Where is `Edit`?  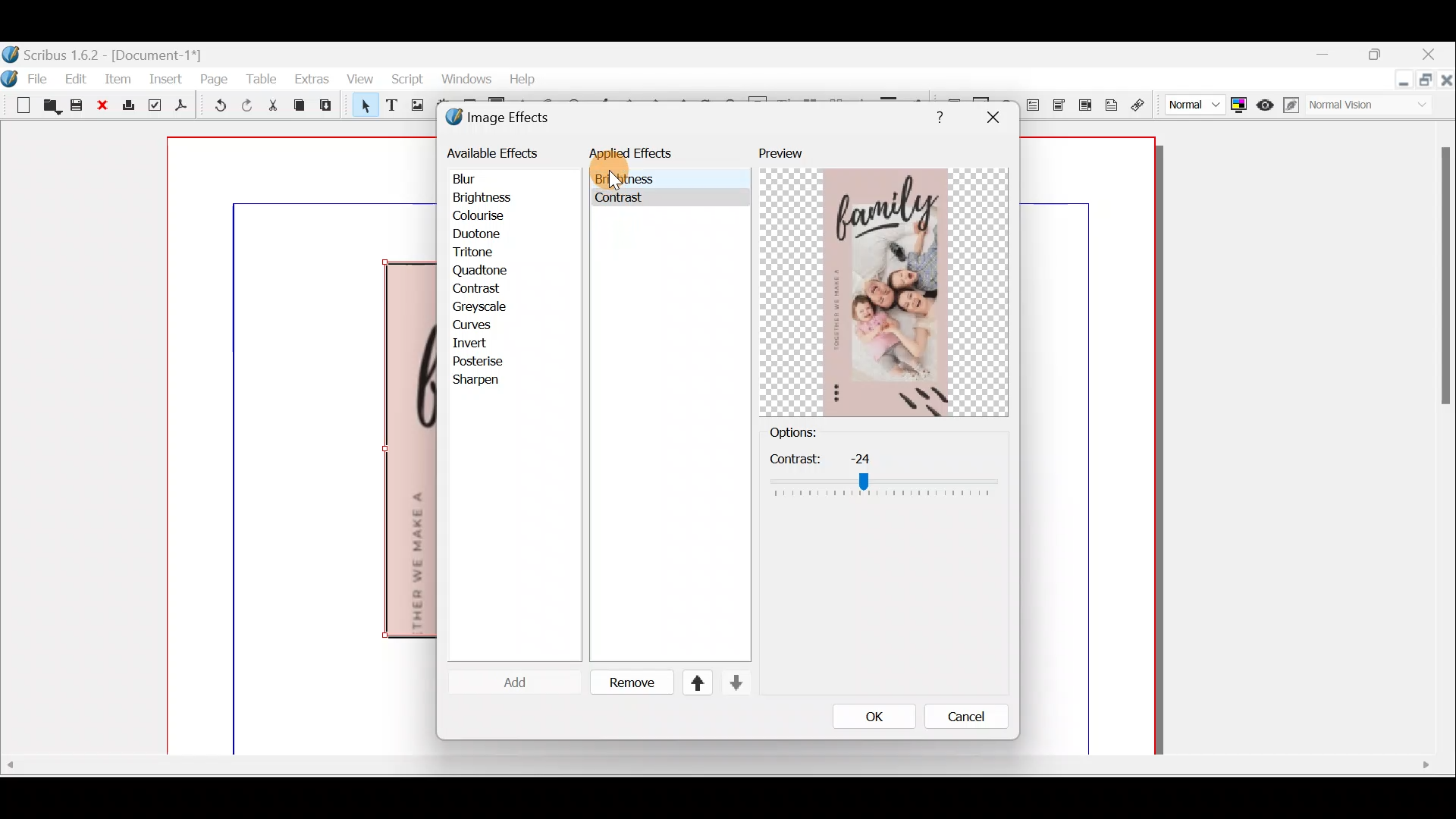
Edit is located at coordinates (78, 78).